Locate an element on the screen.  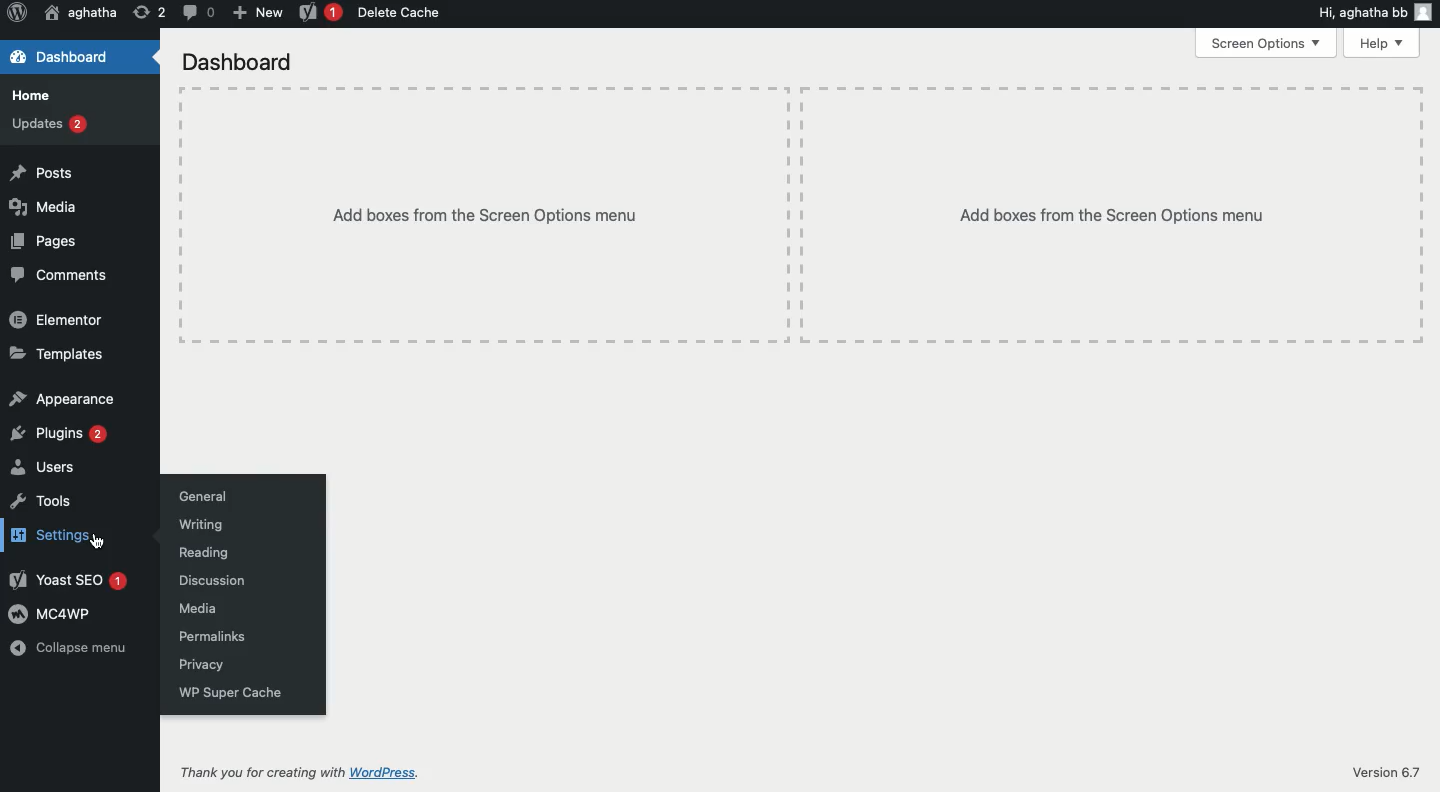
Users is located at coordinates (45, 467).